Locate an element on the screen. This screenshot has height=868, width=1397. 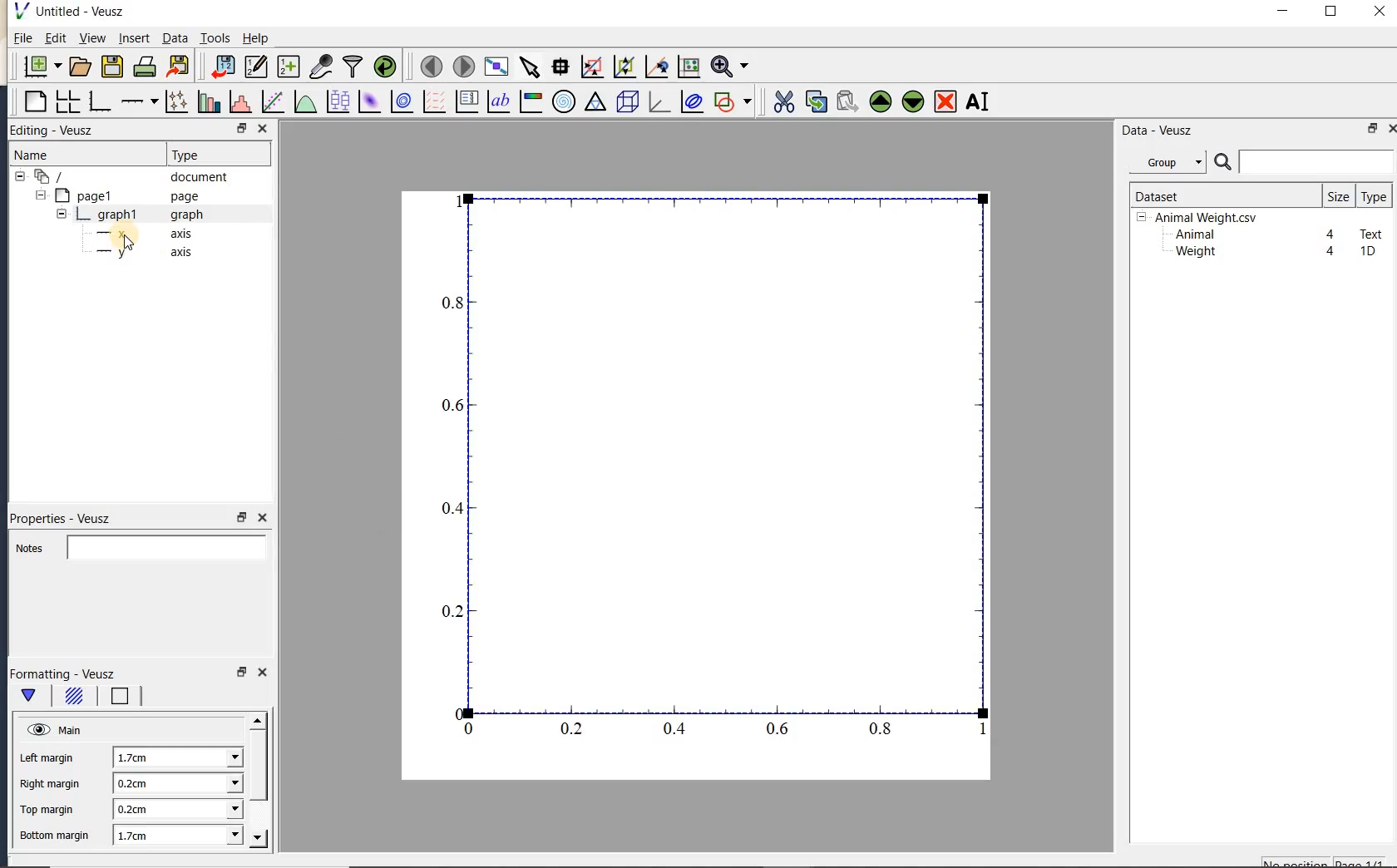
click to recenter graph axes is located at coordinates (657, 67).